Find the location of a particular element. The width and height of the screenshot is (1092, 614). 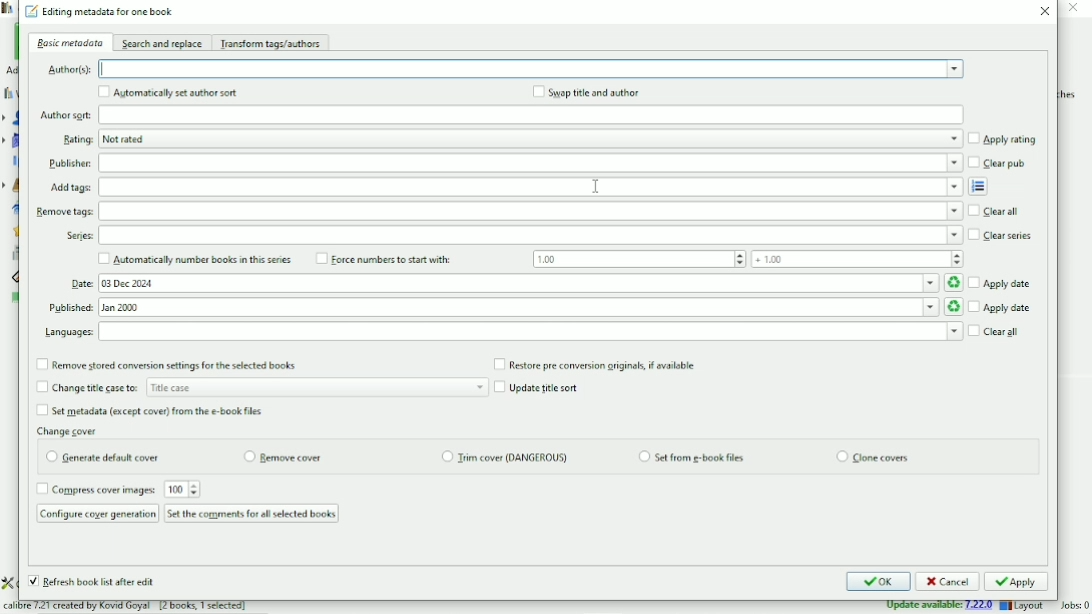

remove tags is located at coordinates (65, 212).